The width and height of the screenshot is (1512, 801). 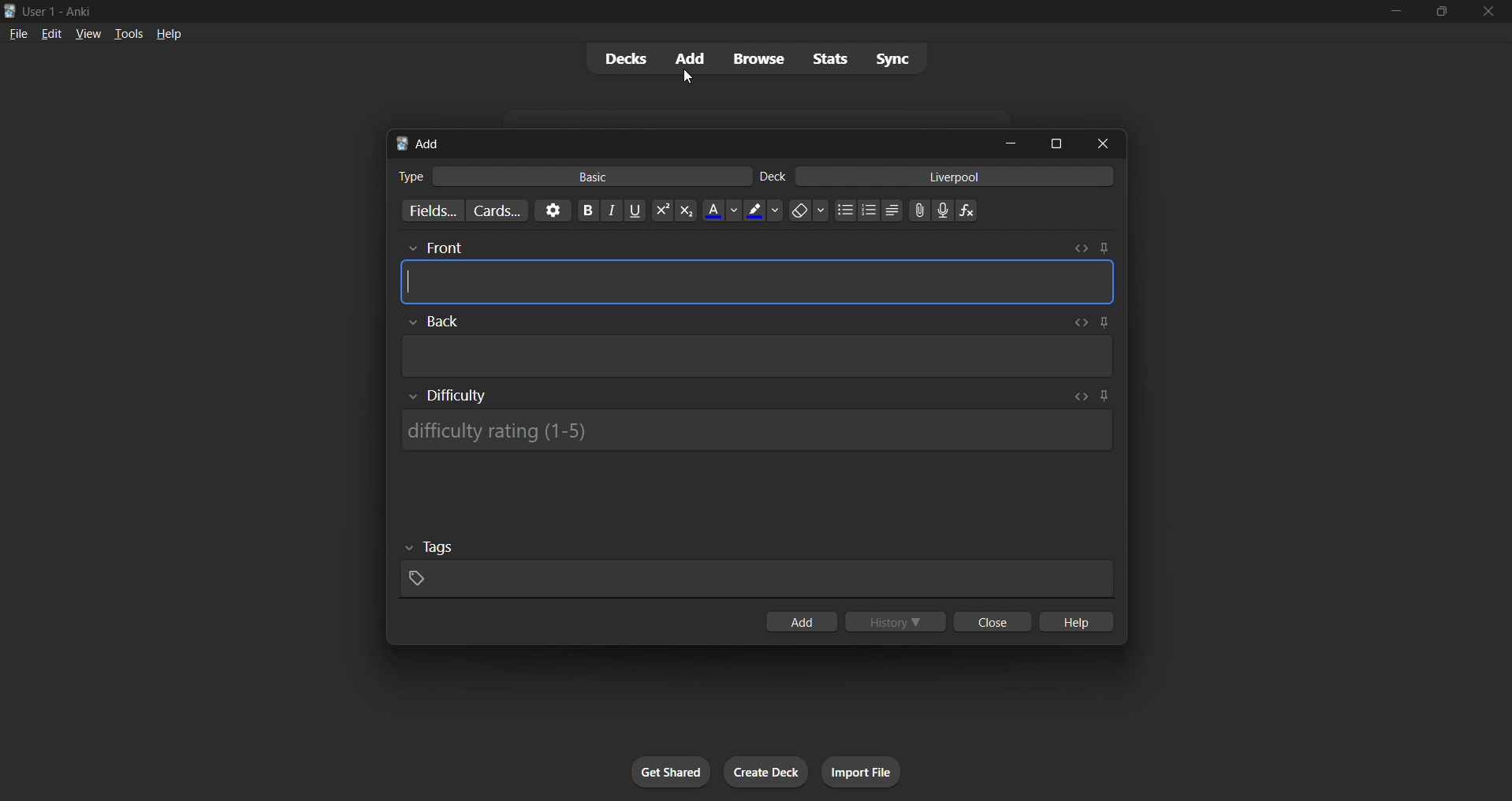 What do you see at coordinates (565, 173) in the screenshot?
I see `card type input box` at bounding box center [565, 173].